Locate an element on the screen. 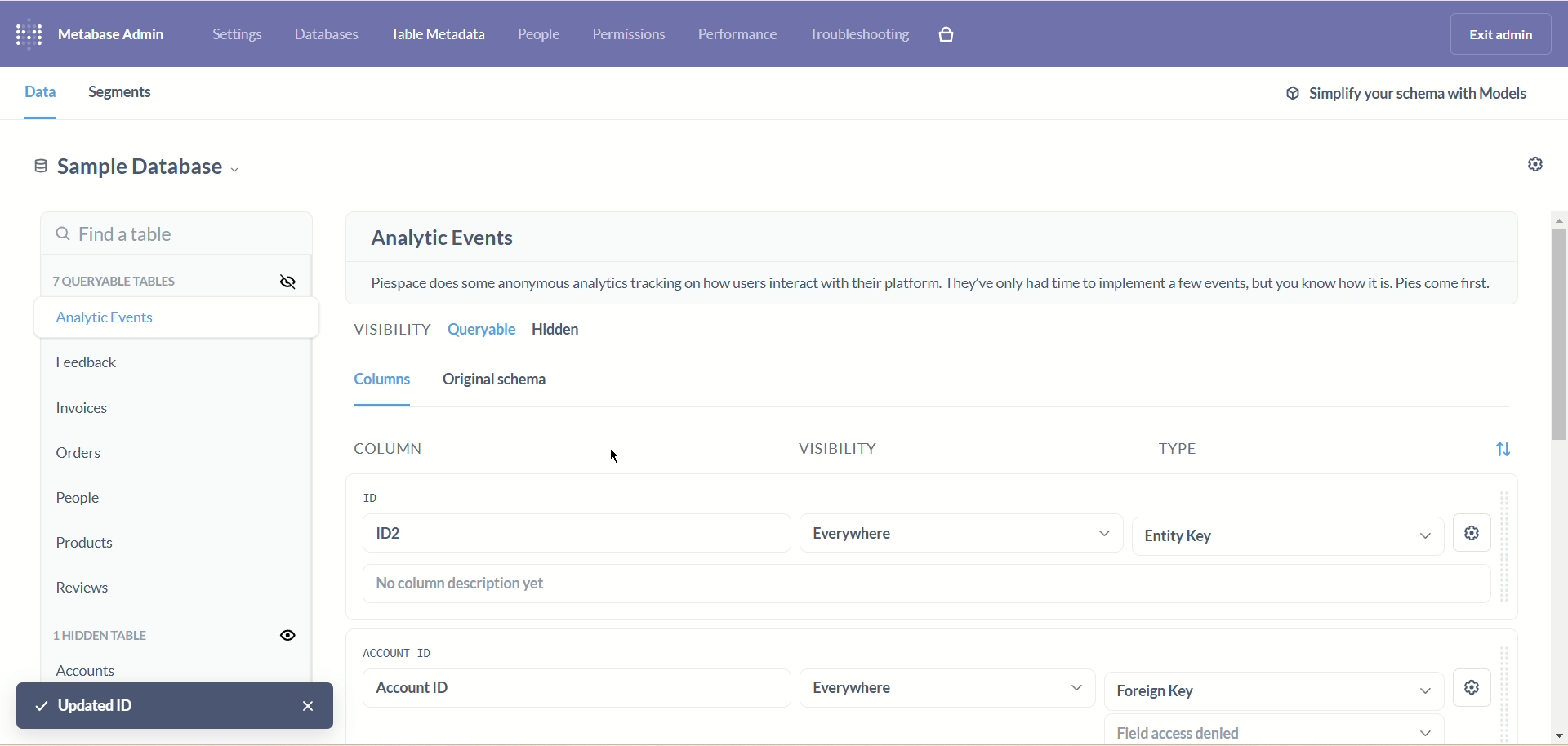 This screenshot has width=1568, height=746. Explore paid features is located at coordinates (948, 36).